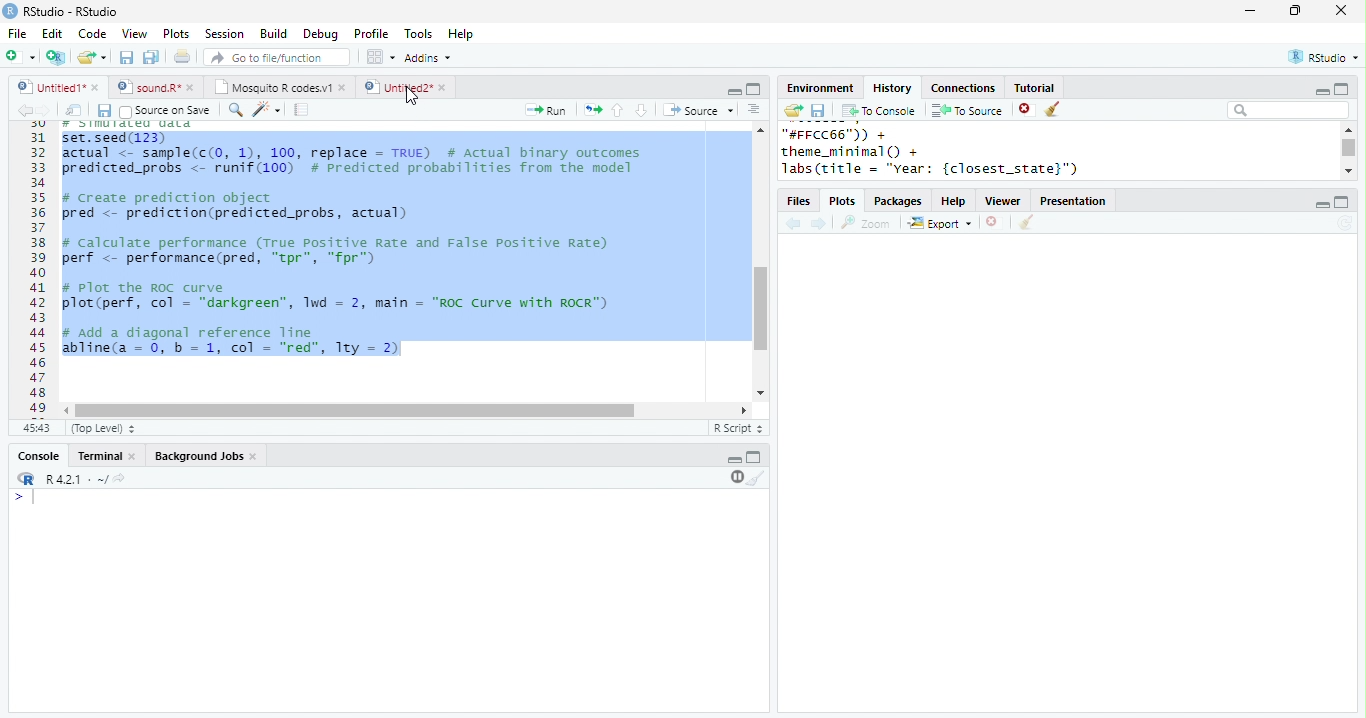 The width and height of the screenshot is (1366, 718). What do you see at coordinates (339, 297) in the screenshot?
I see `# Plot the ROC curveplot(perf, col - "darkgreen”, 1wd = 2, main = "ROC Curve with ROCR")` at bounding box center [339, 297].